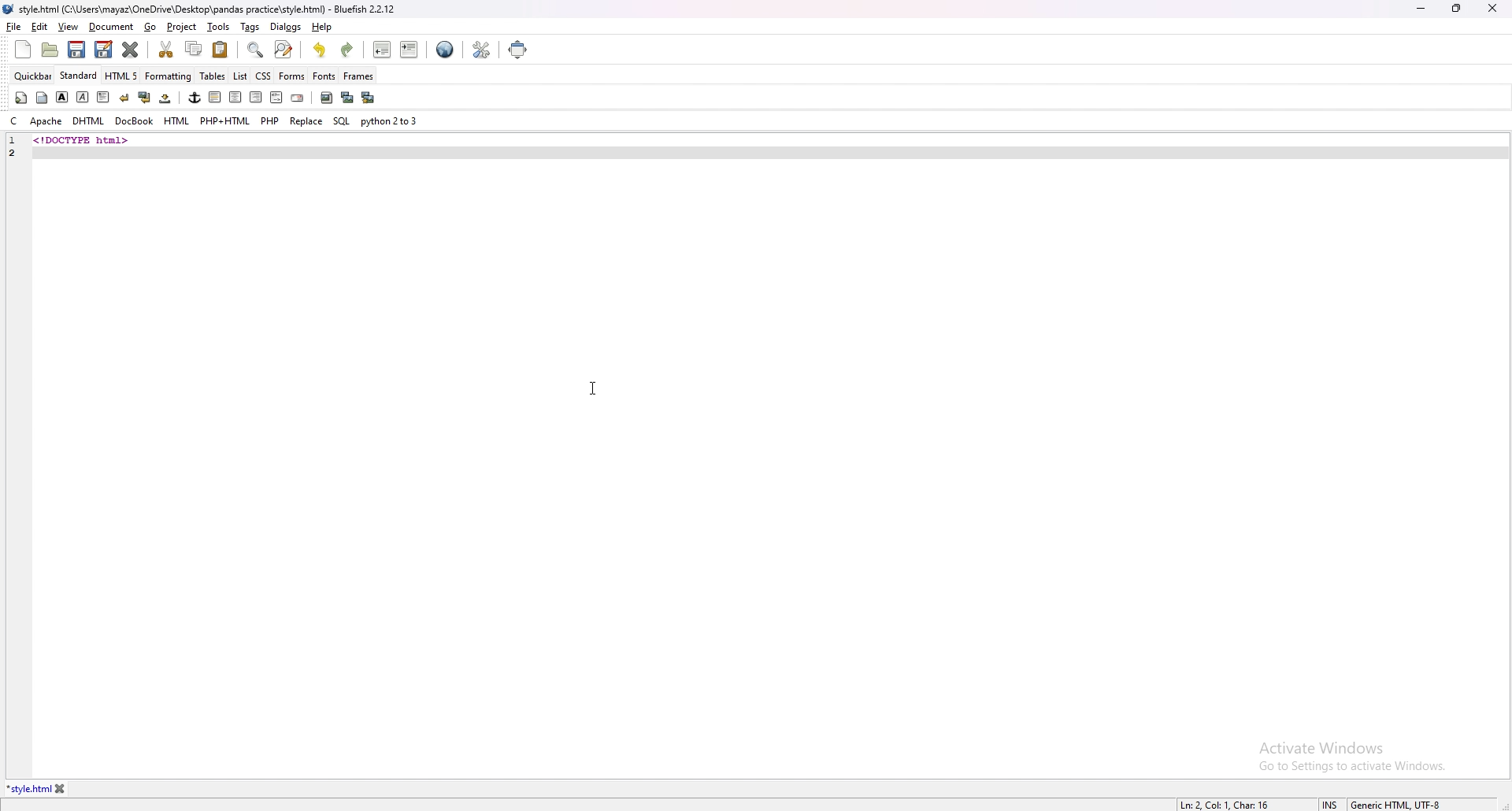  Describe the element at coordinates (346, 98) in the screenshot. I see `insert thumbnail` at that location.